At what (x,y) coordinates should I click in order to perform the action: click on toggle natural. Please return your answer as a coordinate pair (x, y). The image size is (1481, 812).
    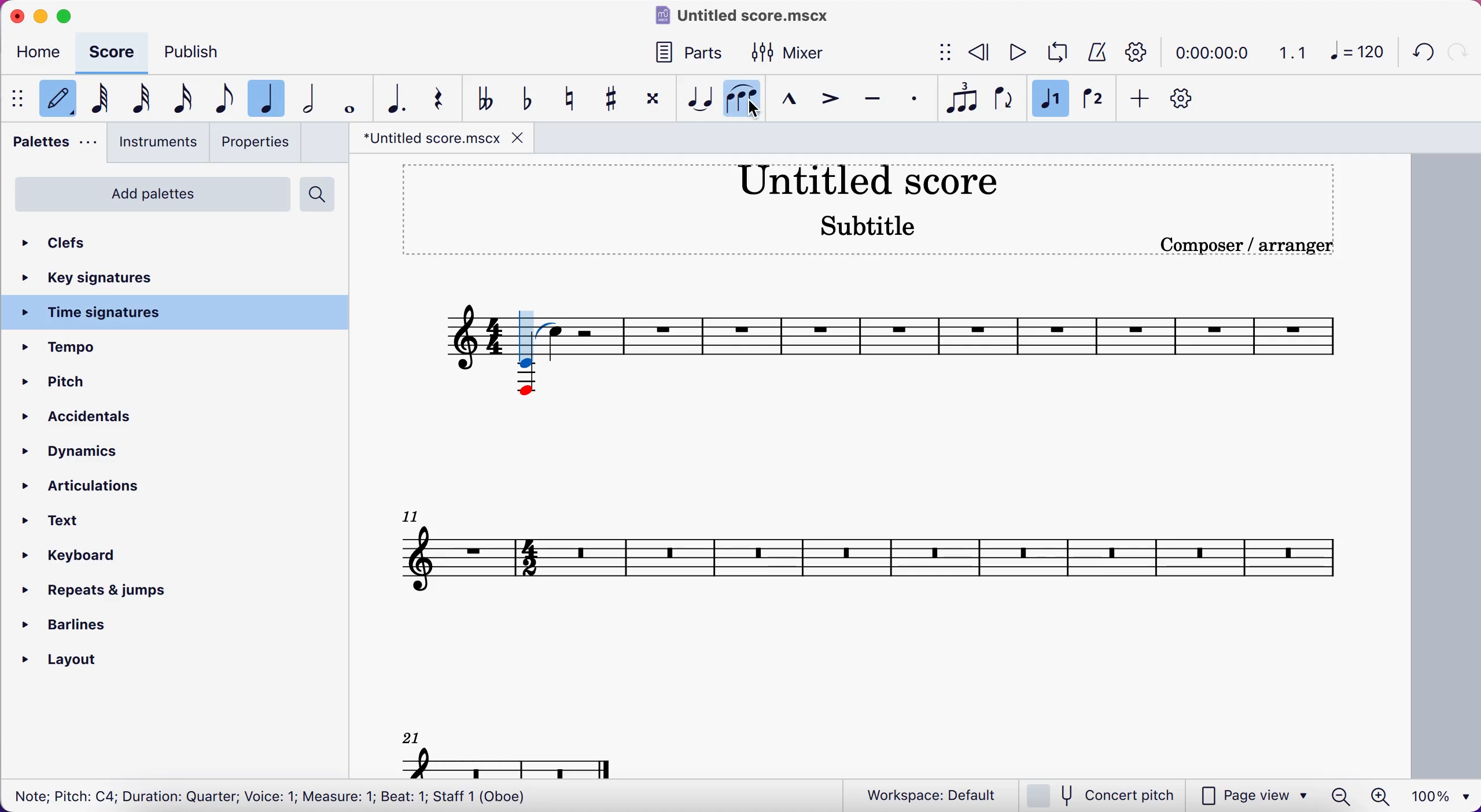
    Looking at the image, I should click on (572, 99).